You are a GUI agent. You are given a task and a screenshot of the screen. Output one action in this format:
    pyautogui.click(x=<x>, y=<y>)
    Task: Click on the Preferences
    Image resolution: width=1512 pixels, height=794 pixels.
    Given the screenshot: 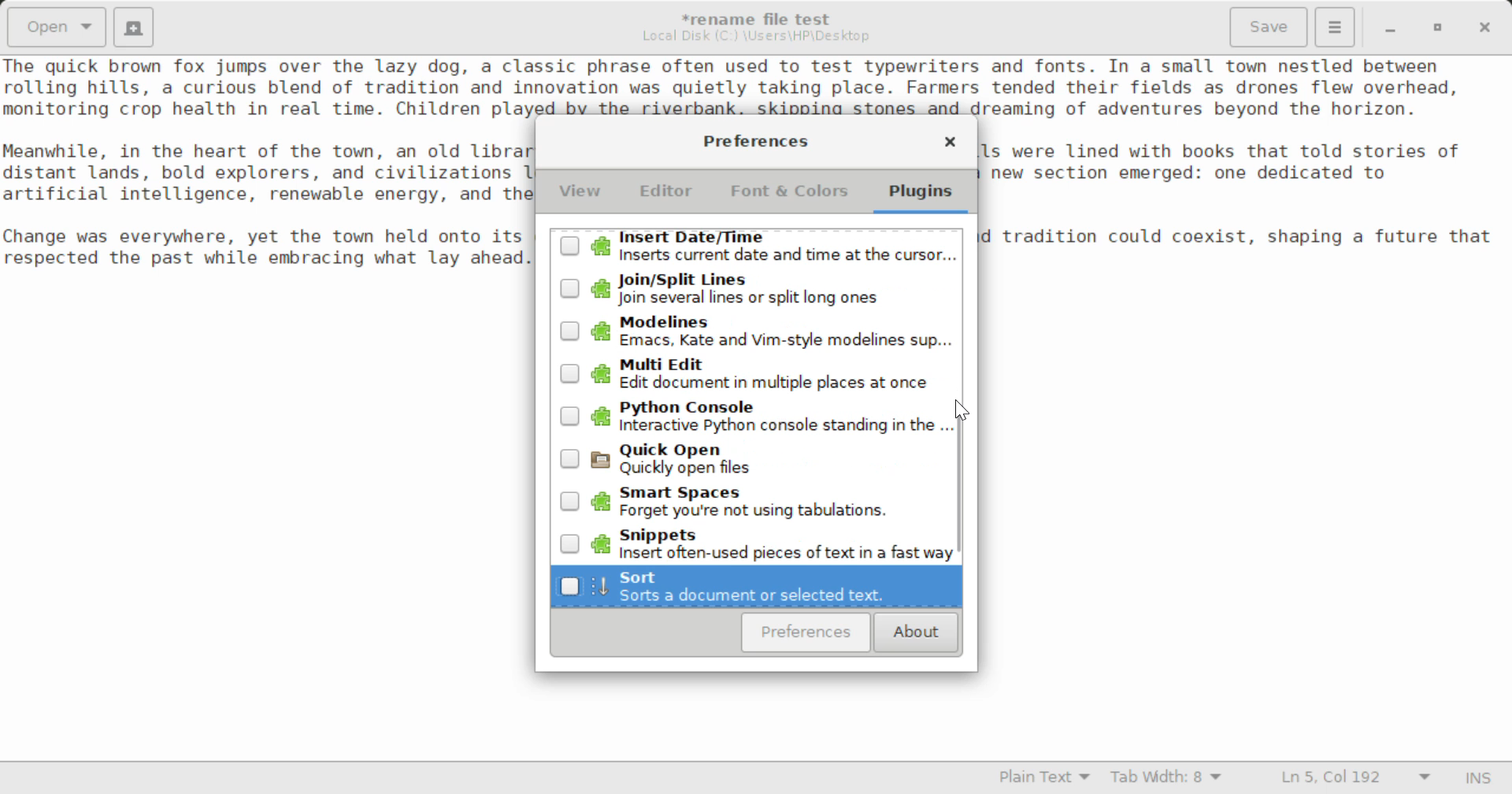 What is the action you would take?
    pyautogui.click(x=806, y=633)
    